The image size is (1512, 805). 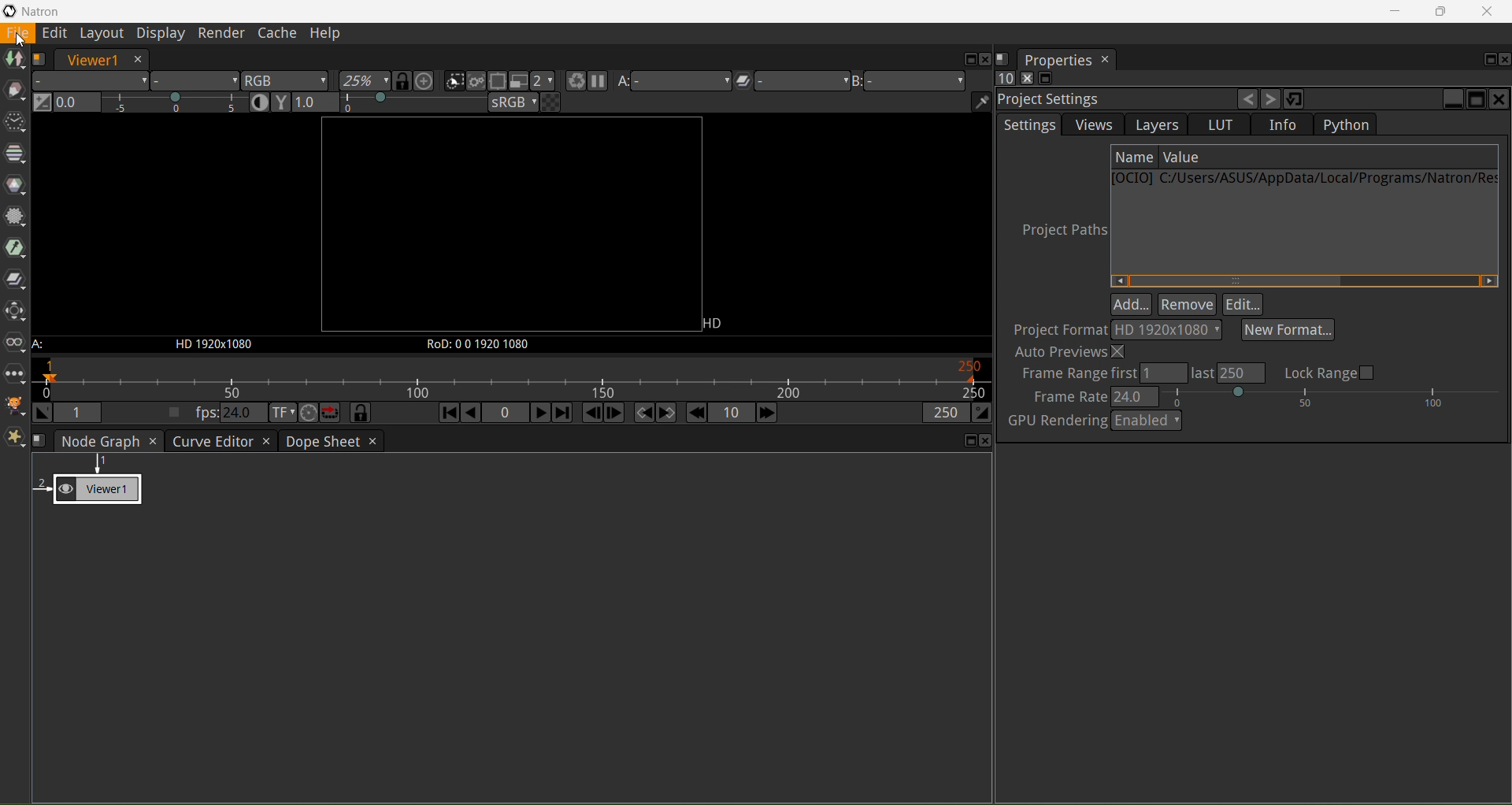 What do you see at coordinates (265, 442) in the screenshot?
I see `Close Tab` at bounding box center [265, 442].